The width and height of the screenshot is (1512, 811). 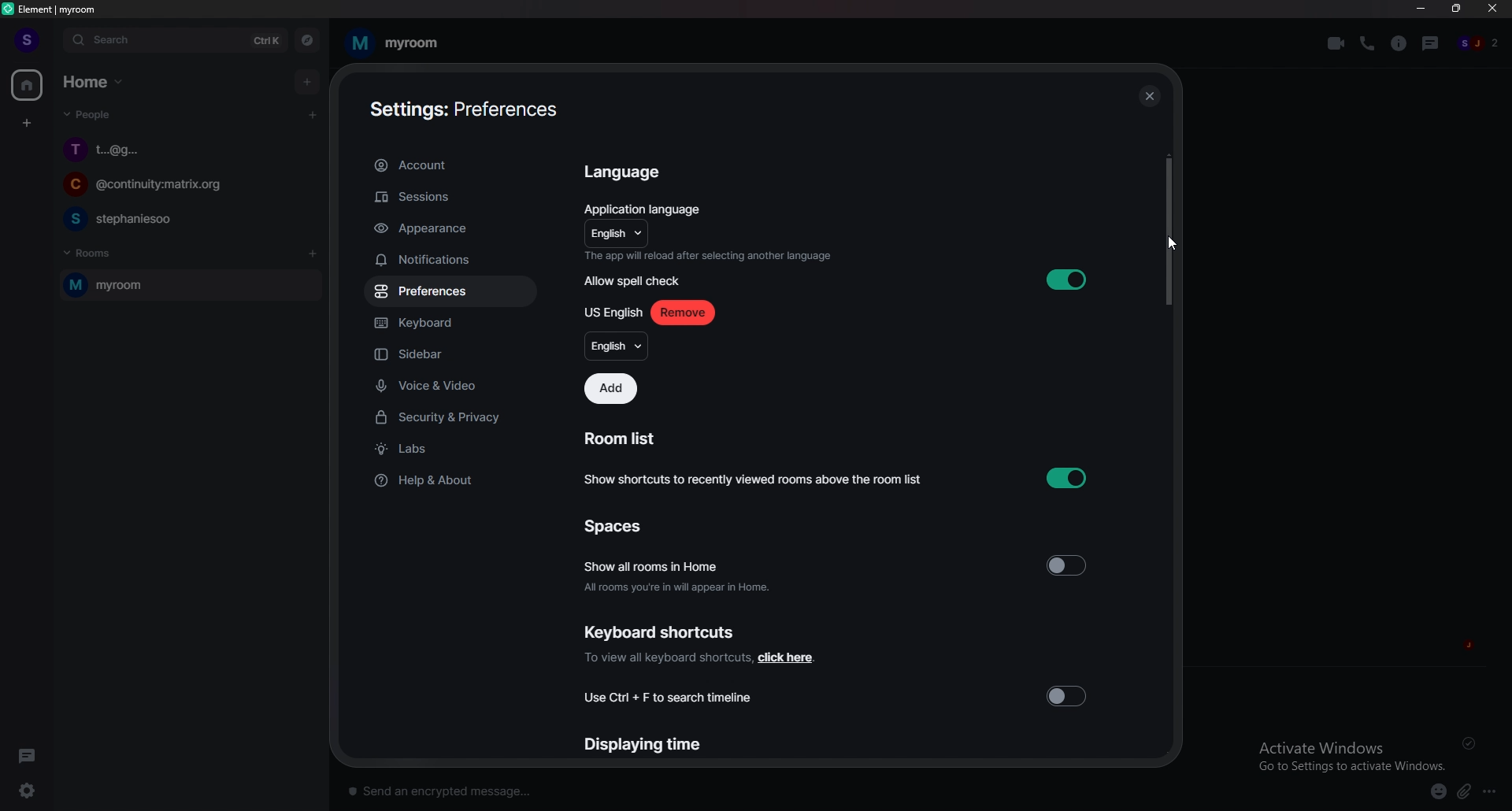 What do you see at coordinates (393, 43) in the screenshot?
I see `room` at bounding box center [393, 43].